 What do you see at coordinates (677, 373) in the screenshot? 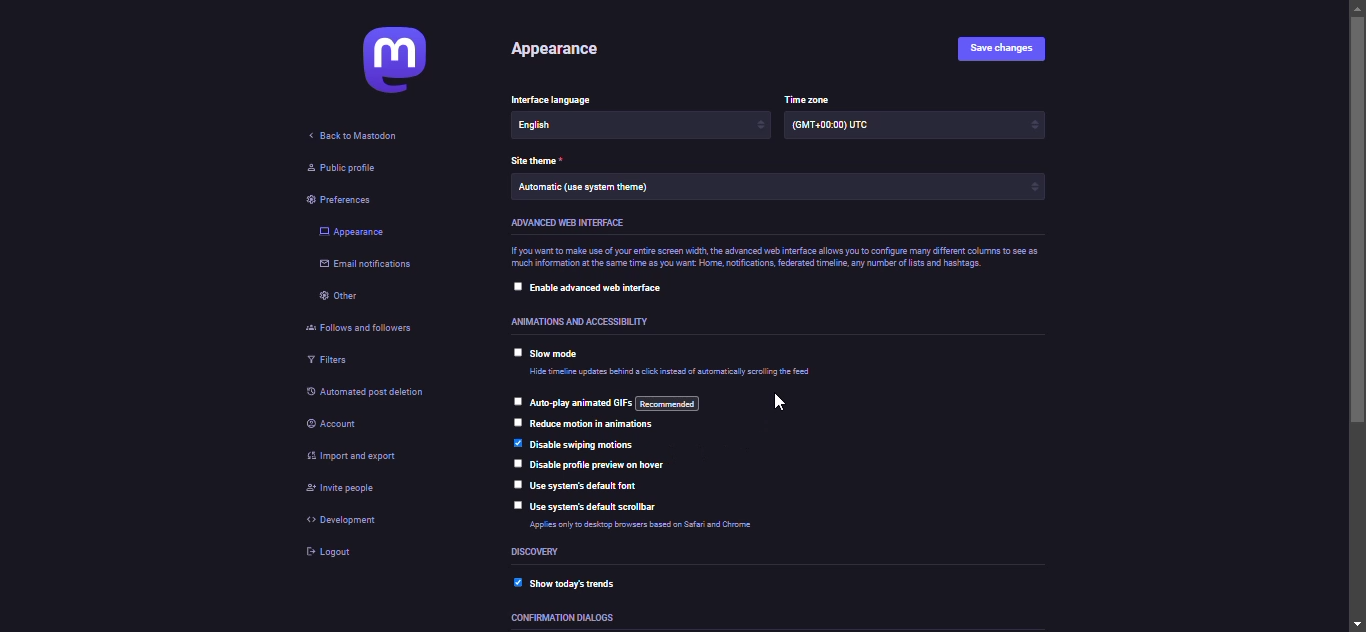
I see `info` at bounding box center [677, 373].